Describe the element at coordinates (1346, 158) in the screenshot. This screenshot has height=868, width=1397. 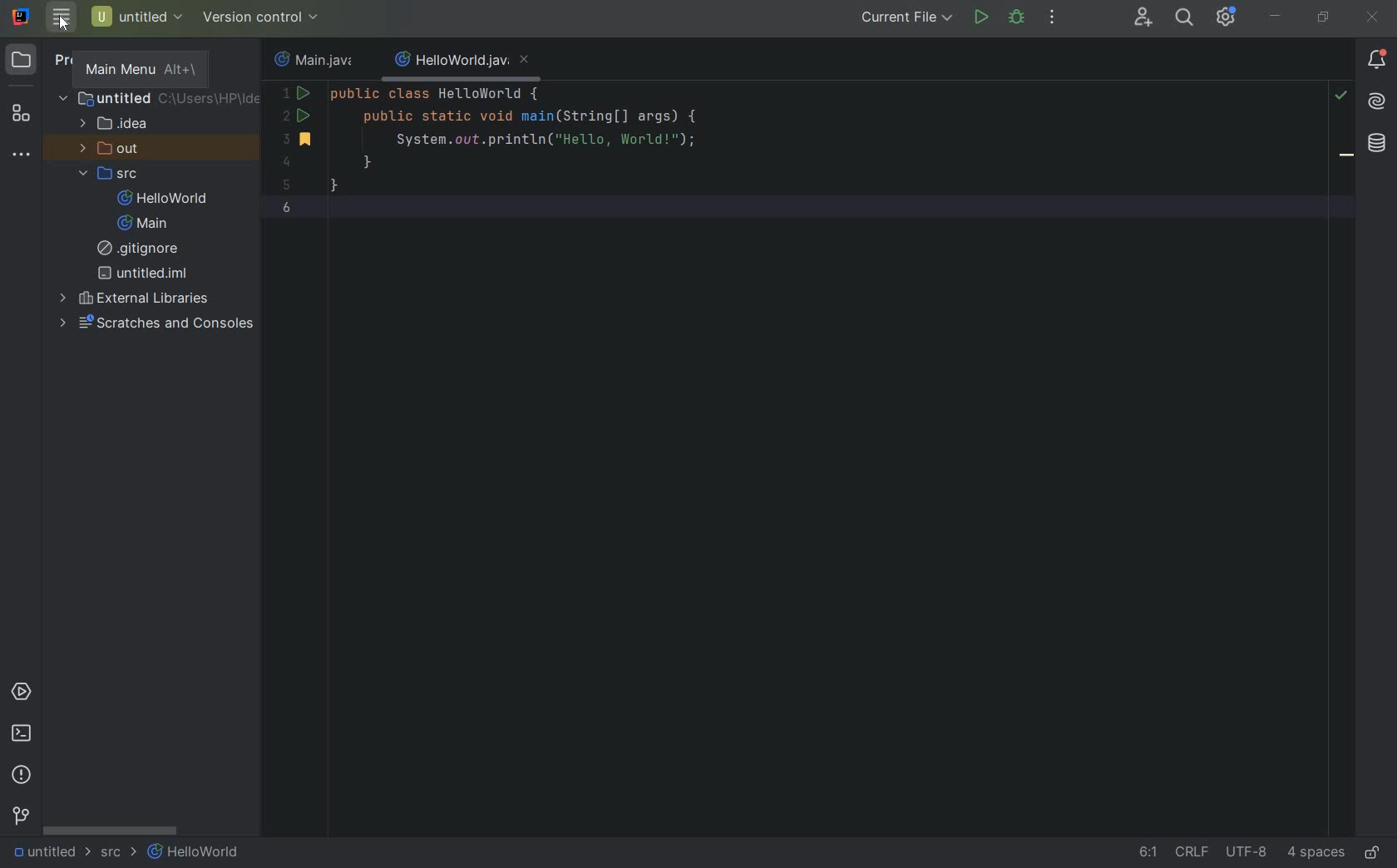
I see `bookmark` at that location.